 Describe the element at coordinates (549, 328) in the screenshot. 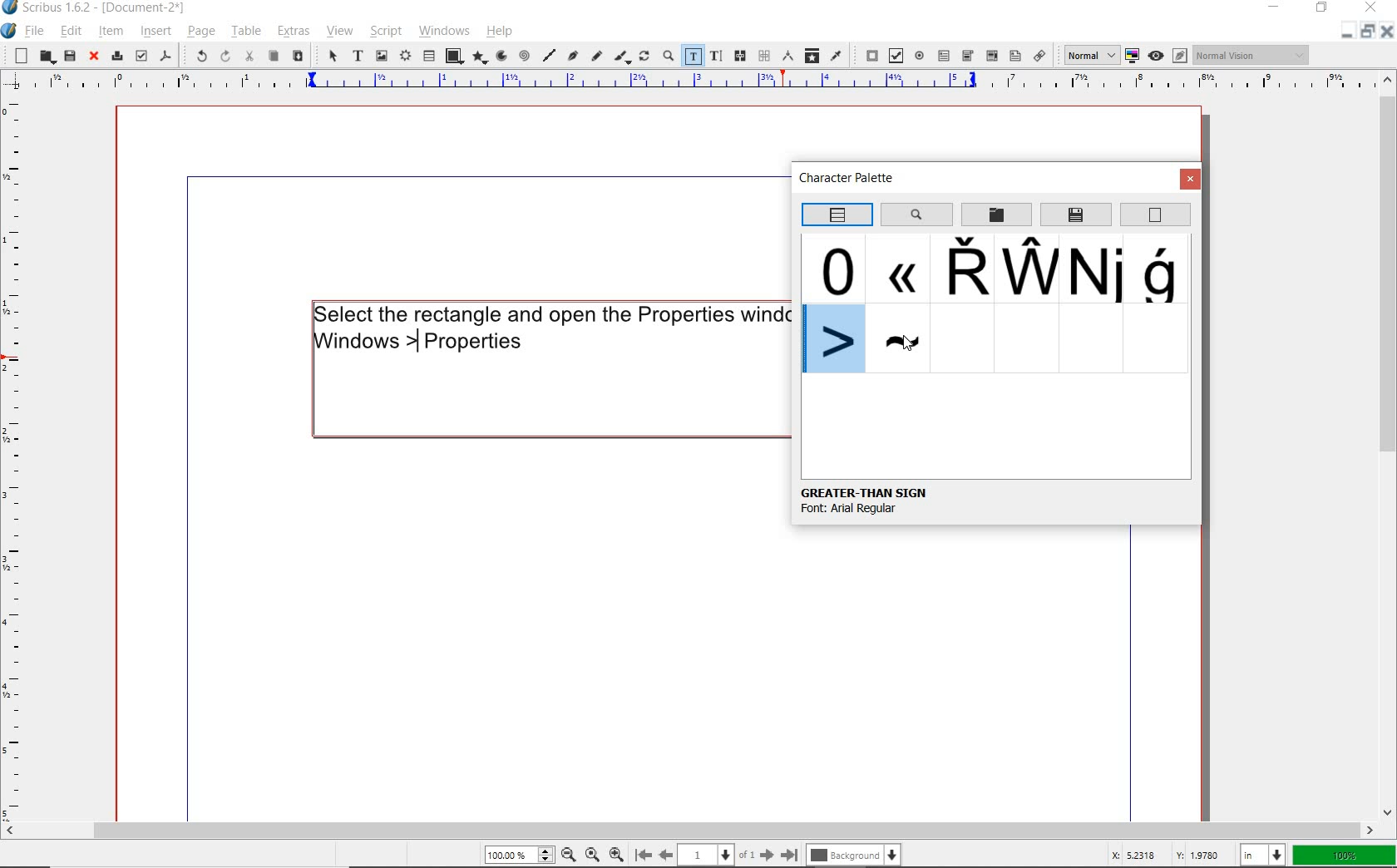

I see `text` at that location.